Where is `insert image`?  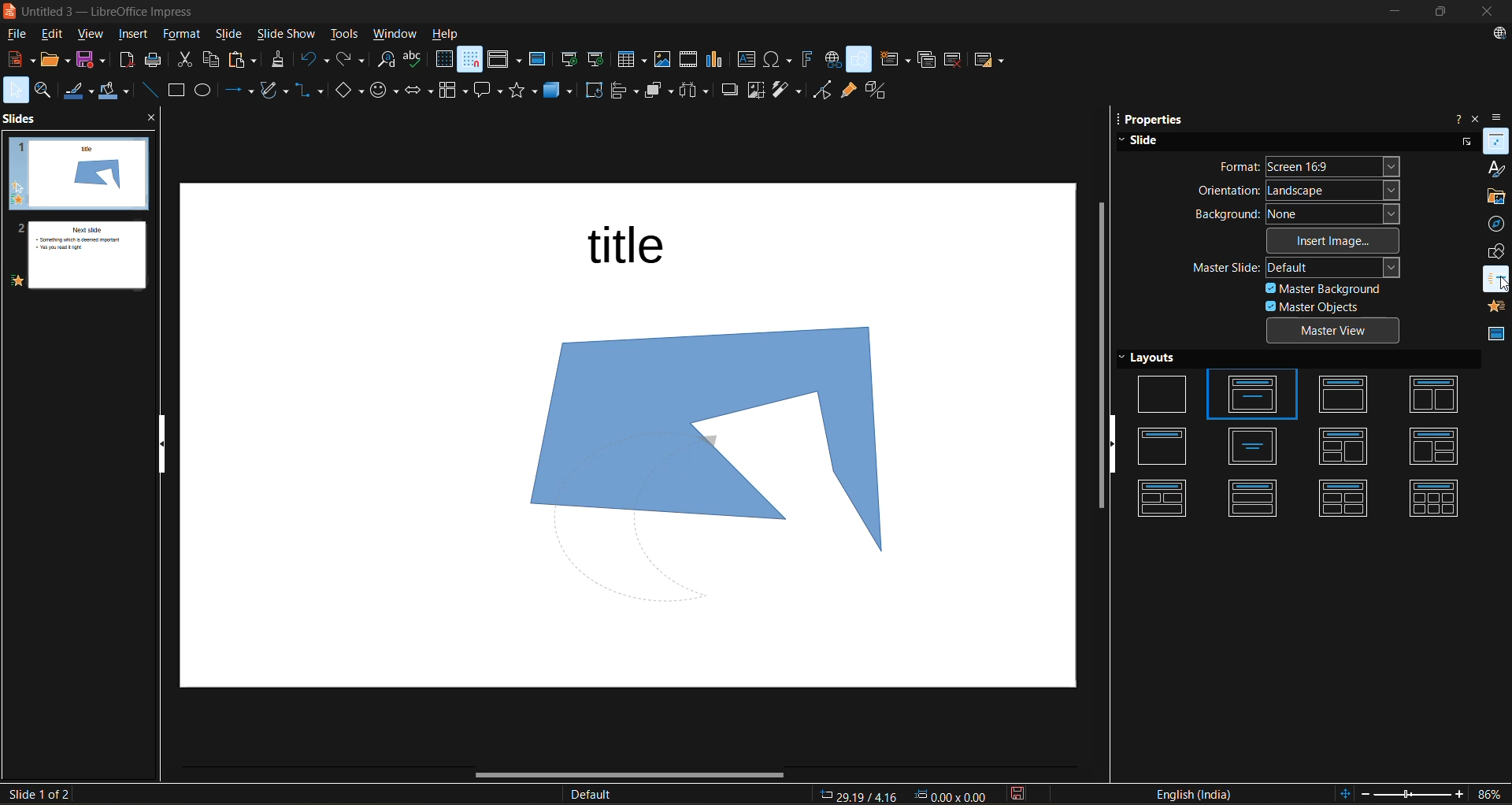
insert image is located at coordinates (1336, 242).